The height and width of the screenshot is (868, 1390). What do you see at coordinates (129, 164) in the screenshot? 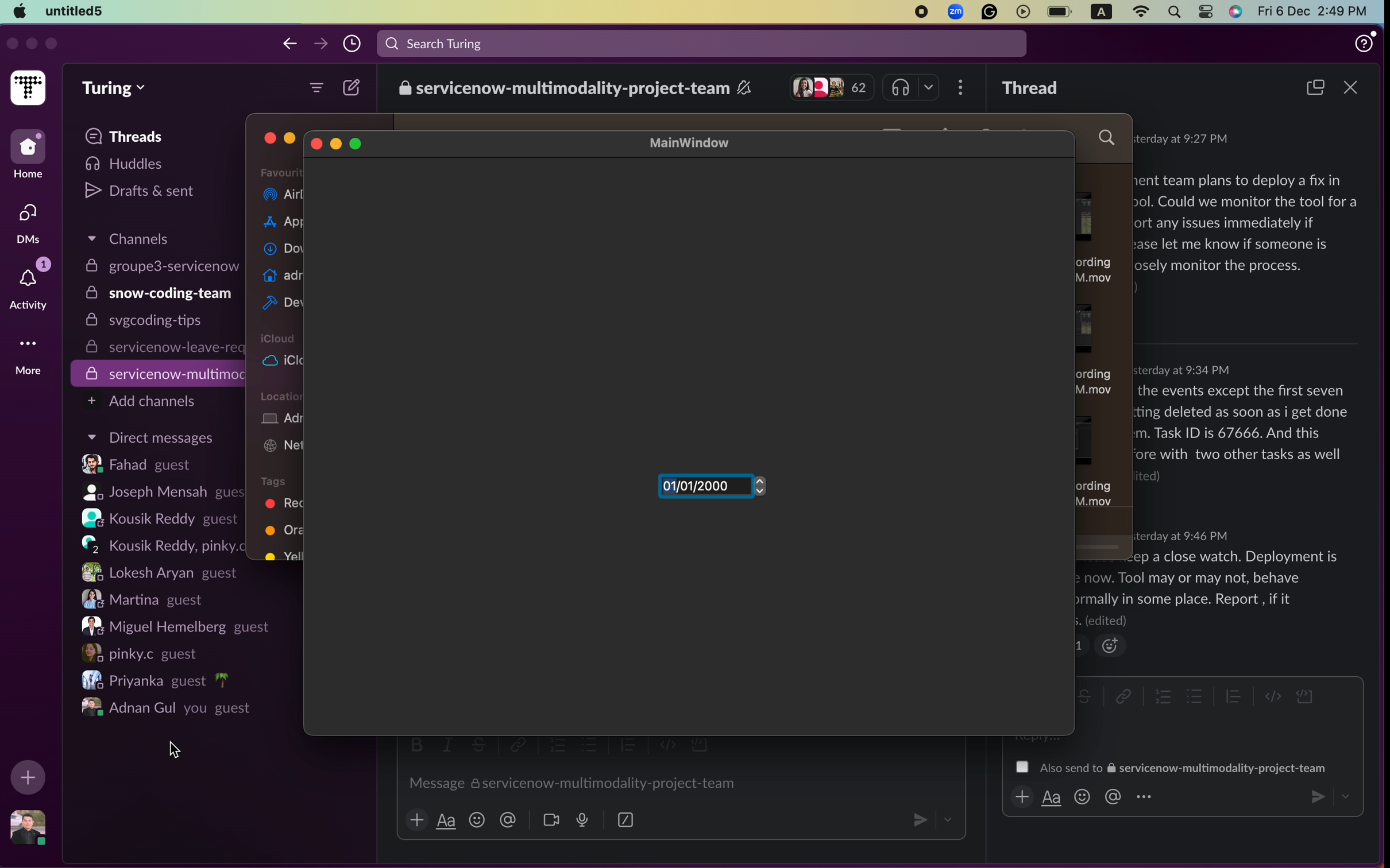
I see `Huddies` at bounding box center [129, 164].